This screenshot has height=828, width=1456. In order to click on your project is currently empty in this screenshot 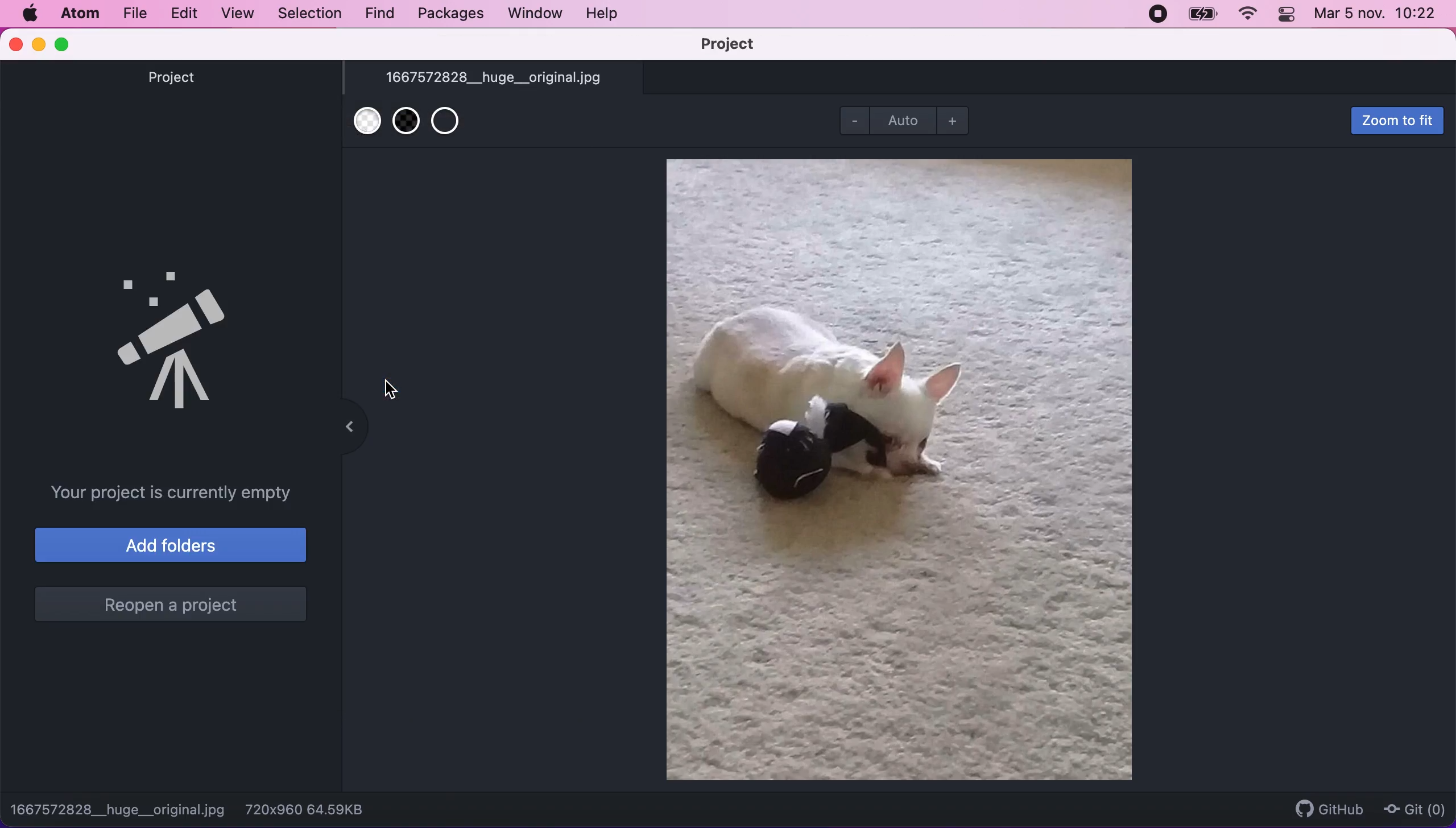, I will do `click(183, 492)`.